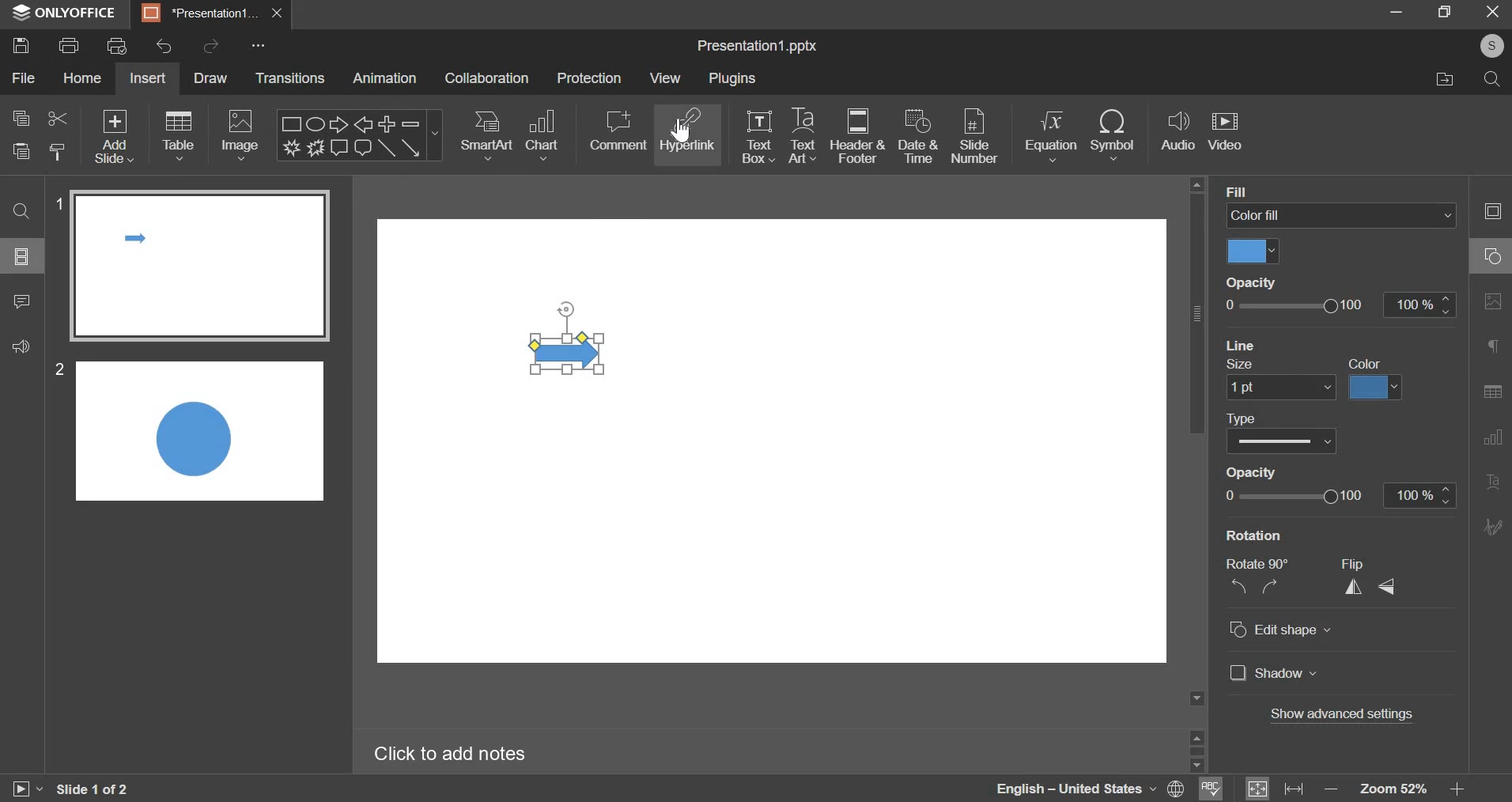 The width and height of the screenshot is (1512, 802). What do you see at coordinates (1252, 473) in the screenshot?
I see `Opacity` at bounding box center [1252, 473].